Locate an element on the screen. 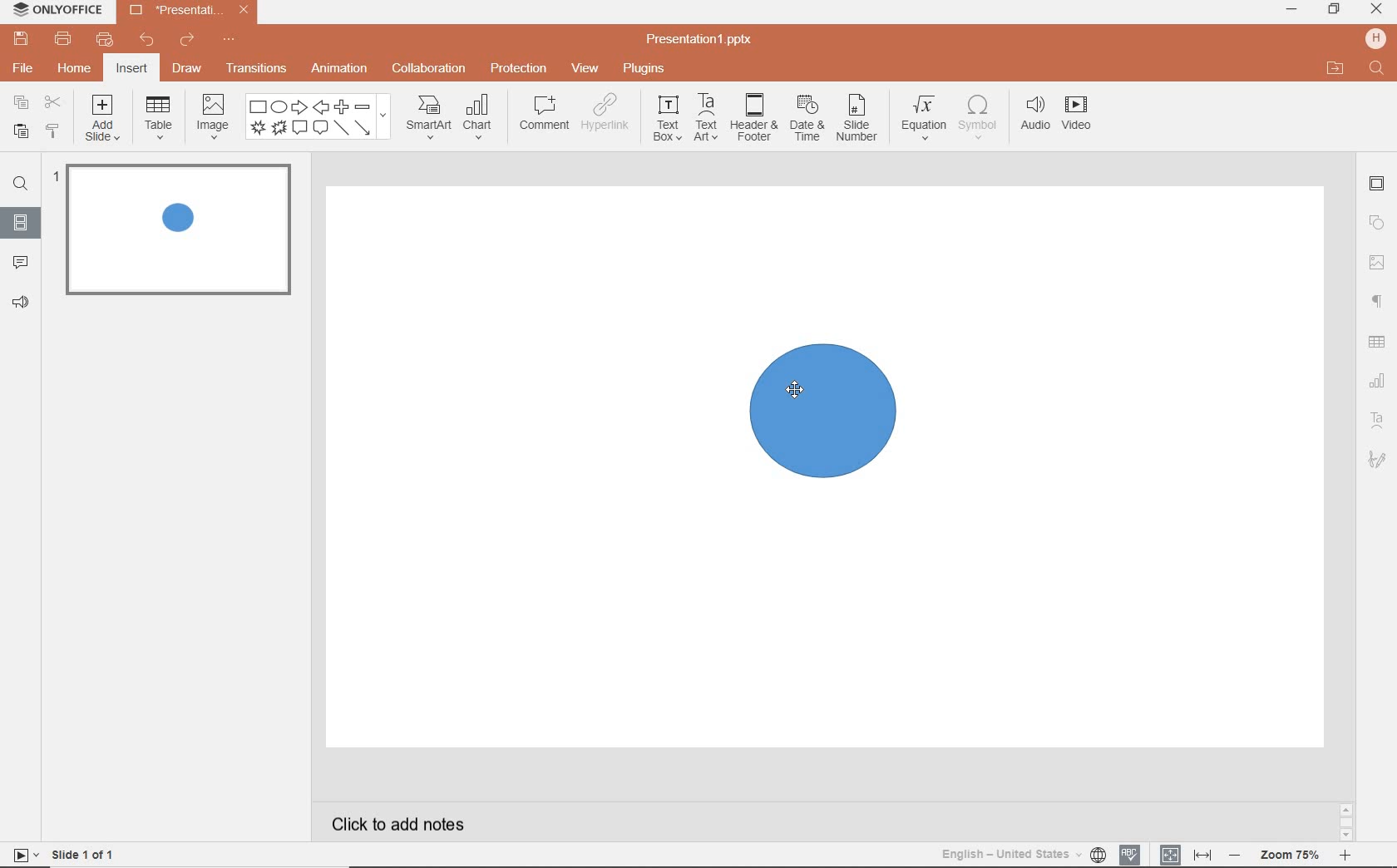 The height and width of the screenshot is (868, 1397). quick print is located at coordinates (108, 38).